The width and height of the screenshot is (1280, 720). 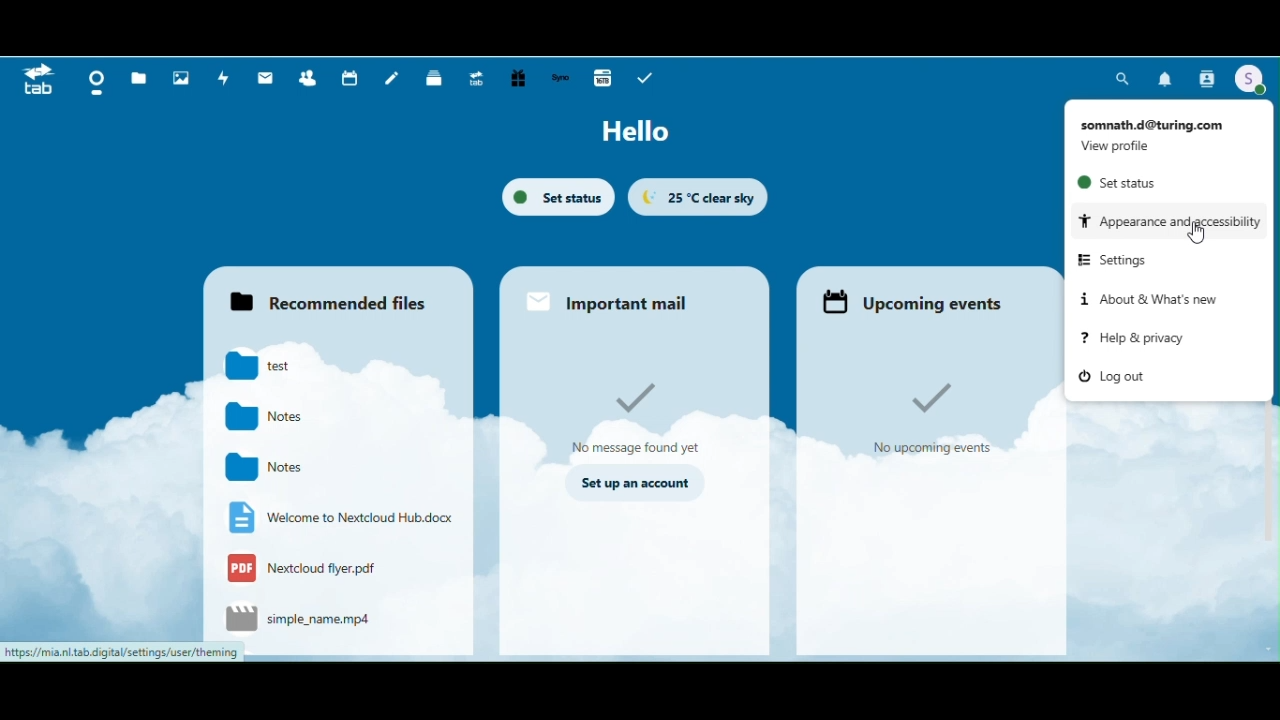 What do you see at coordinates (558, 197) in the screenshot?
I see `Set status` at bounding box center [558, 197].